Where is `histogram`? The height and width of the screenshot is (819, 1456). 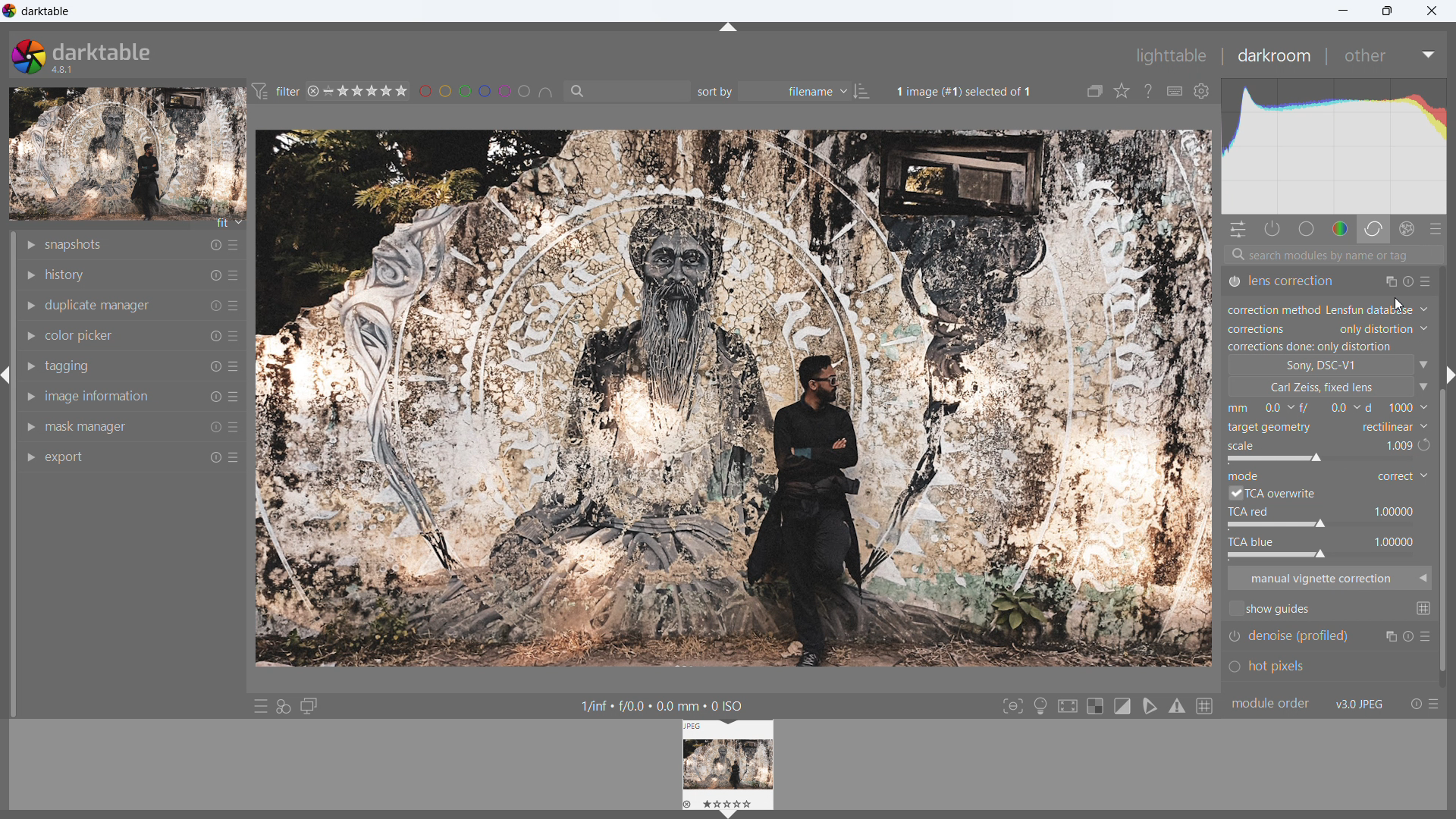 histogram is located at coordinates (1335, 146).